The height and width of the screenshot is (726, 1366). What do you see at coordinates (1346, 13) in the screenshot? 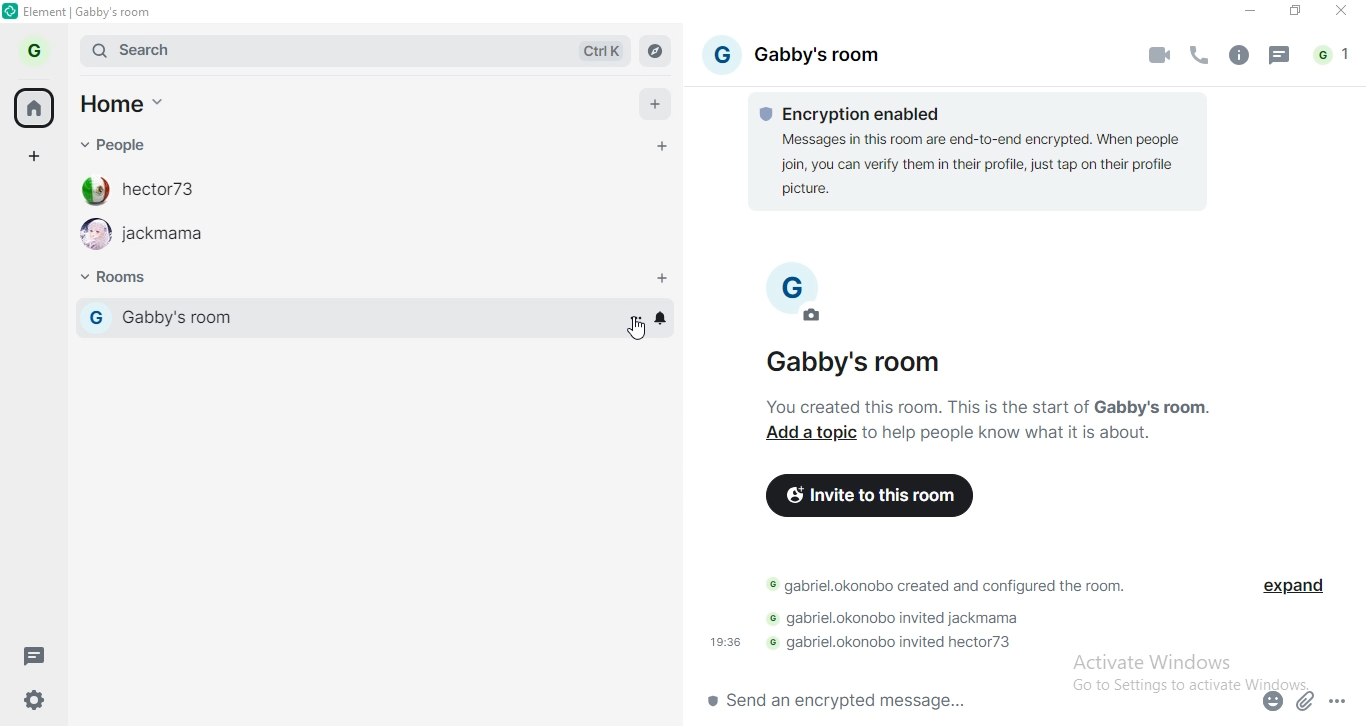
I see `close` at bounding box center [1346, 13].